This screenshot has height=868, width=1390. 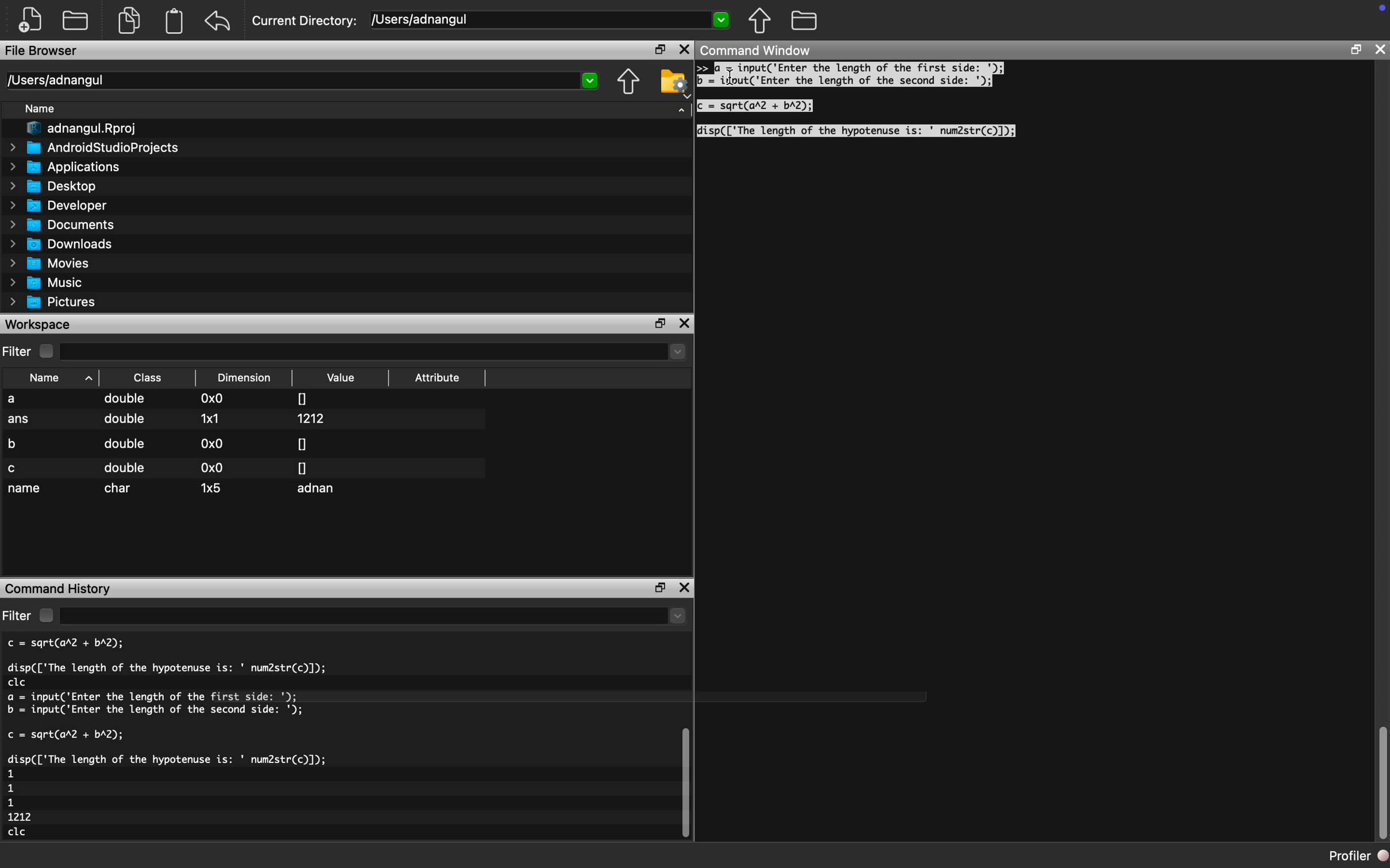 I want to click on folder settings, so click(x=674, y=82).